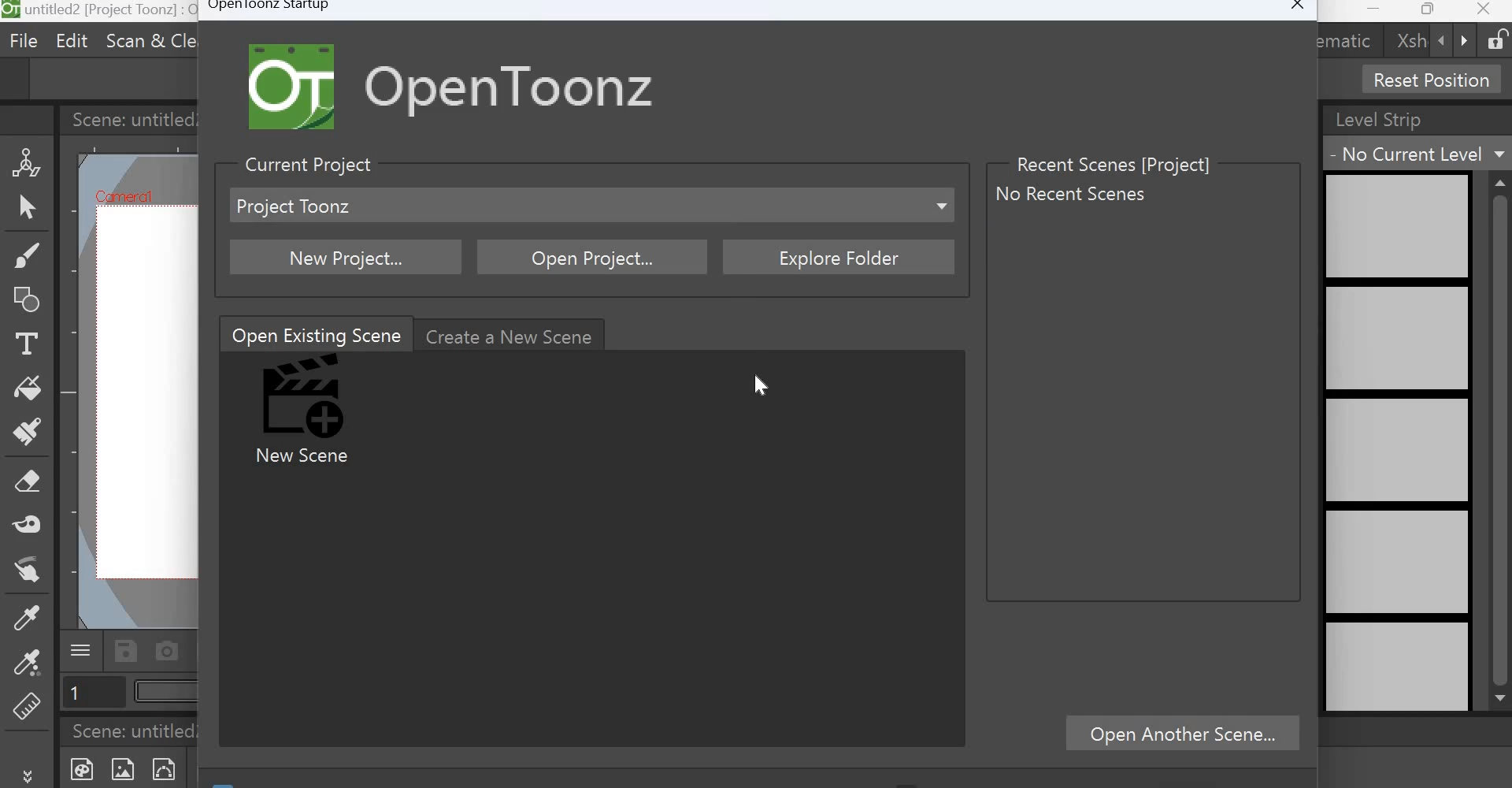  What do you see at coordinates (69, 40) in the screenshot?
I see `Edit` at bounding box center [69, 40].